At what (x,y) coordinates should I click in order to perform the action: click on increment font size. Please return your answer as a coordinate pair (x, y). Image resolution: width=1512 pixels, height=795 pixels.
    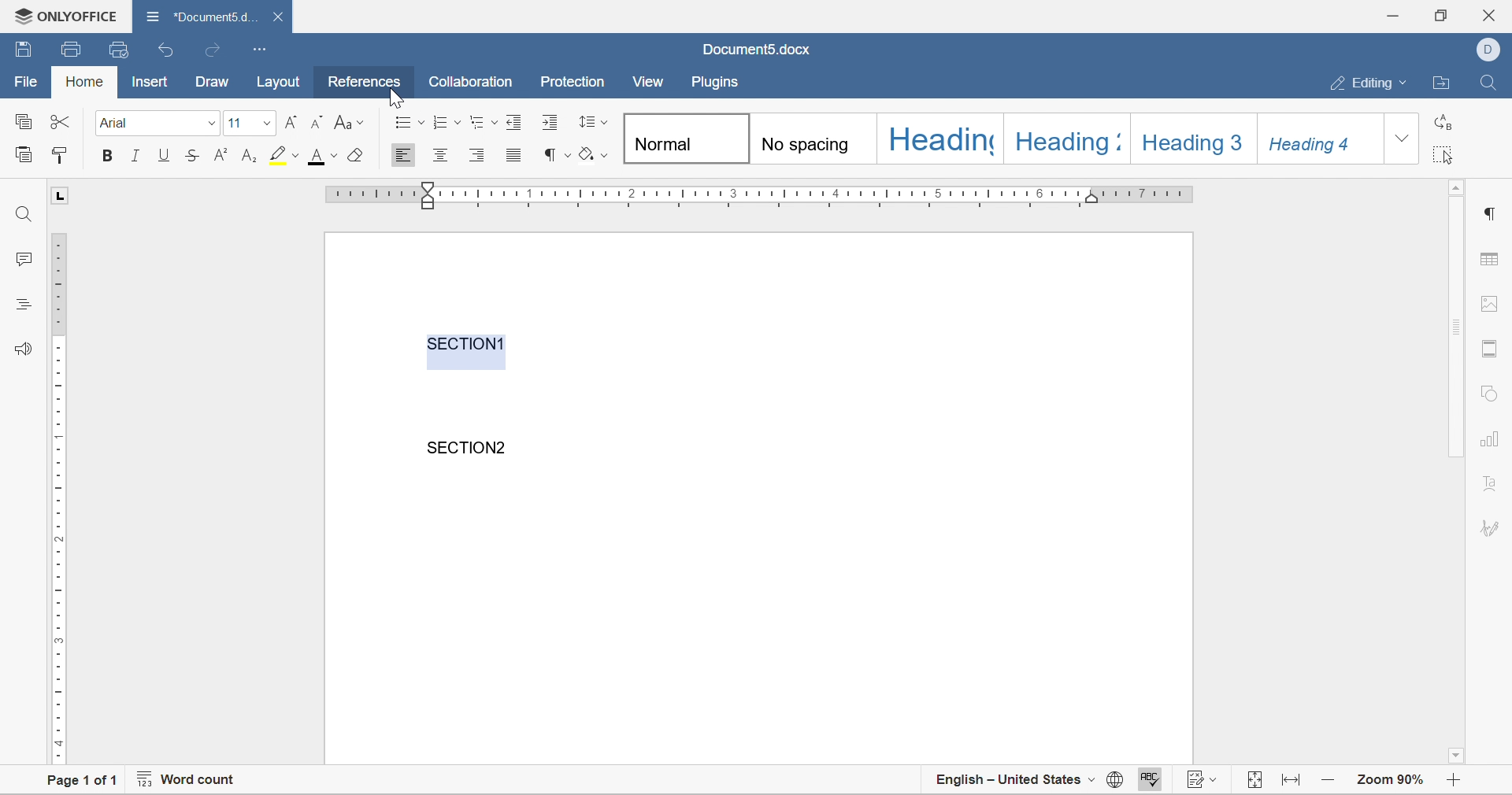
    Looking at the image, I should click on (291, 121).